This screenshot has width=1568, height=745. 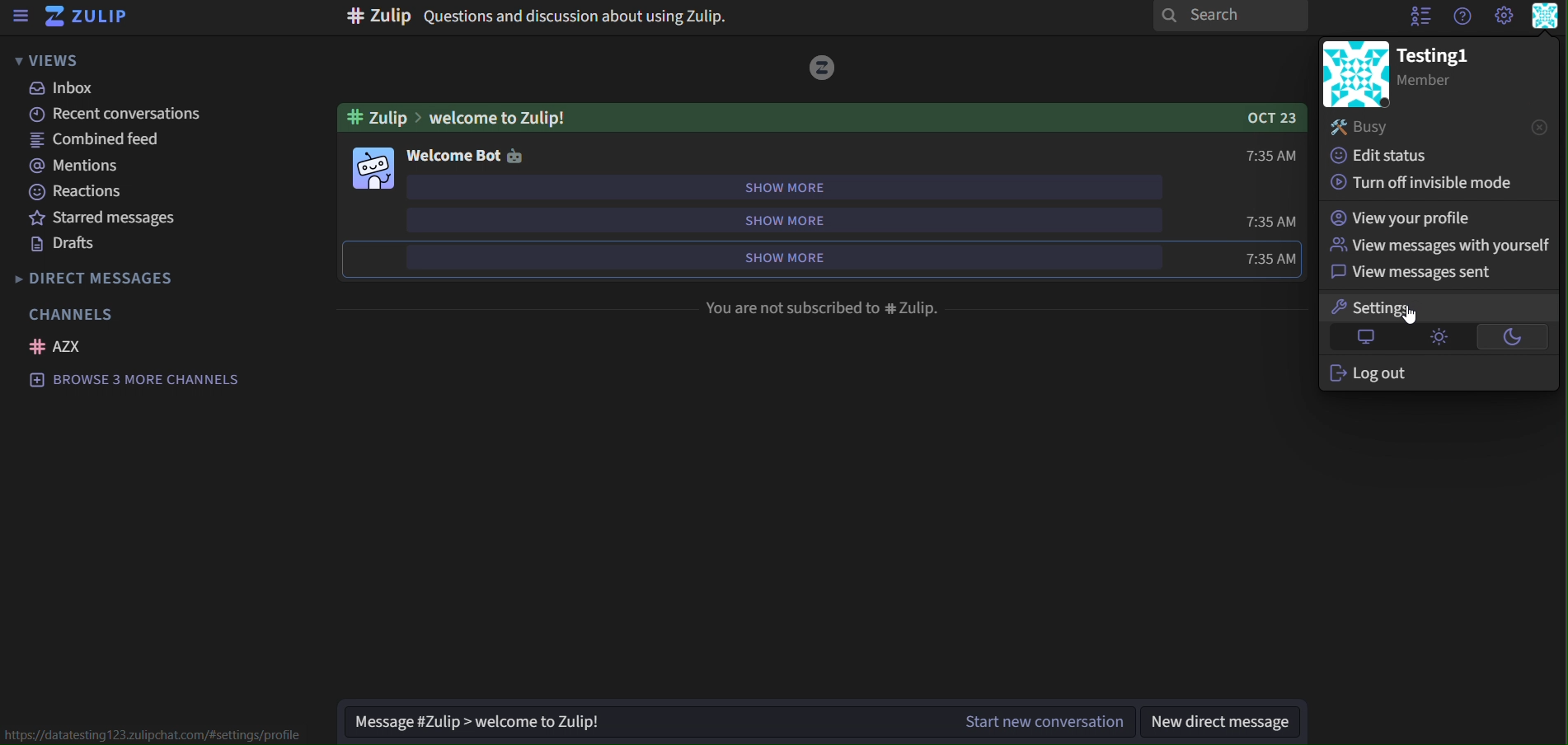 I want to click on direct messages, so click(x=107, y=277).